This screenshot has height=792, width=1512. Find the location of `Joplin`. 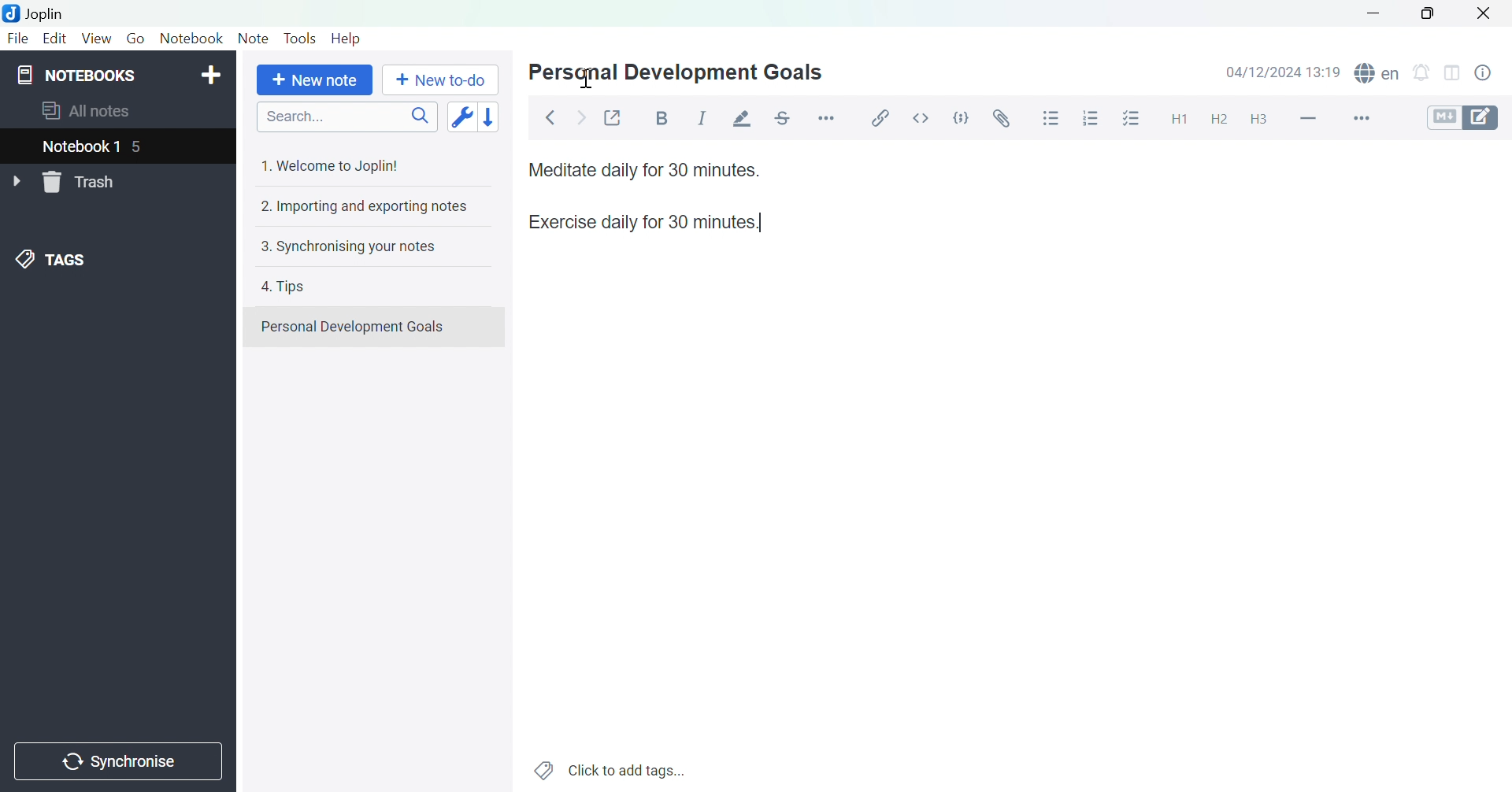

Joplin is located at coordinates (37, 13).